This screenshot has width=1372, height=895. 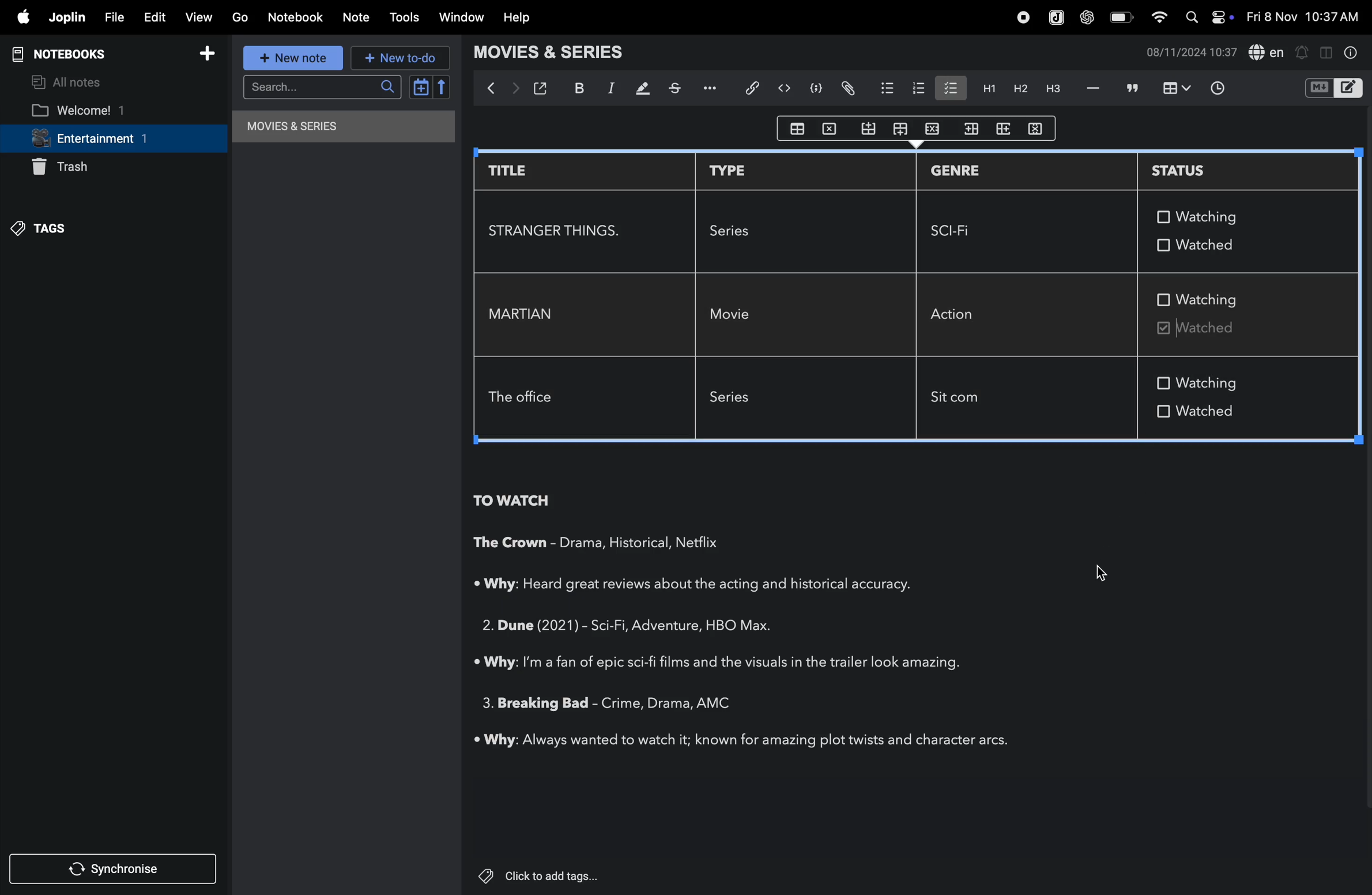 What do you see at coordinates (543, 88) in the screenshot?
I see `open window` at bounding box center [543, 88].